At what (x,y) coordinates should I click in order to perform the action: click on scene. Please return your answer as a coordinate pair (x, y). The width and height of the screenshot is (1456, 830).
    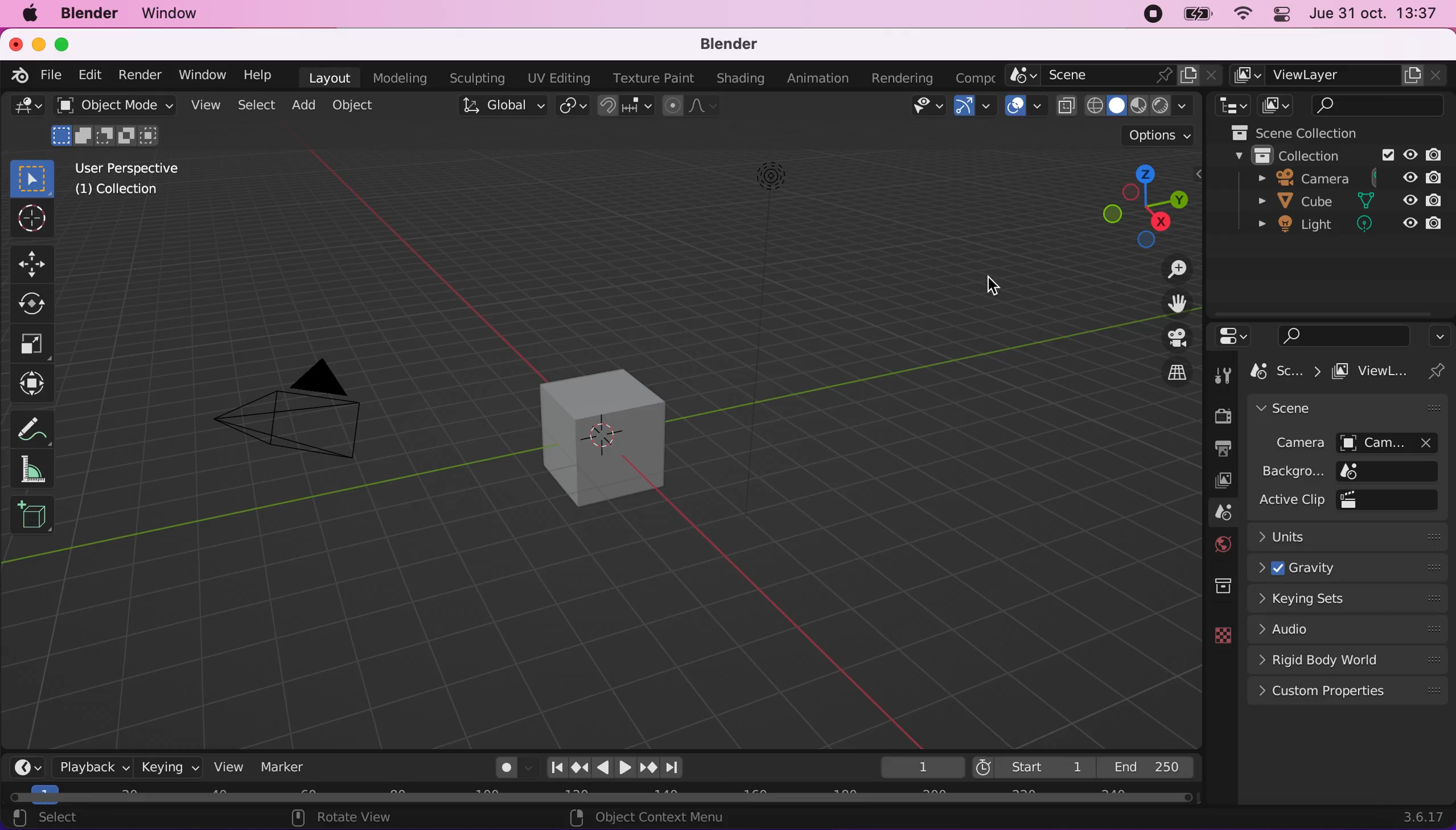
    Looking at the image, I should click on (1284, 371).